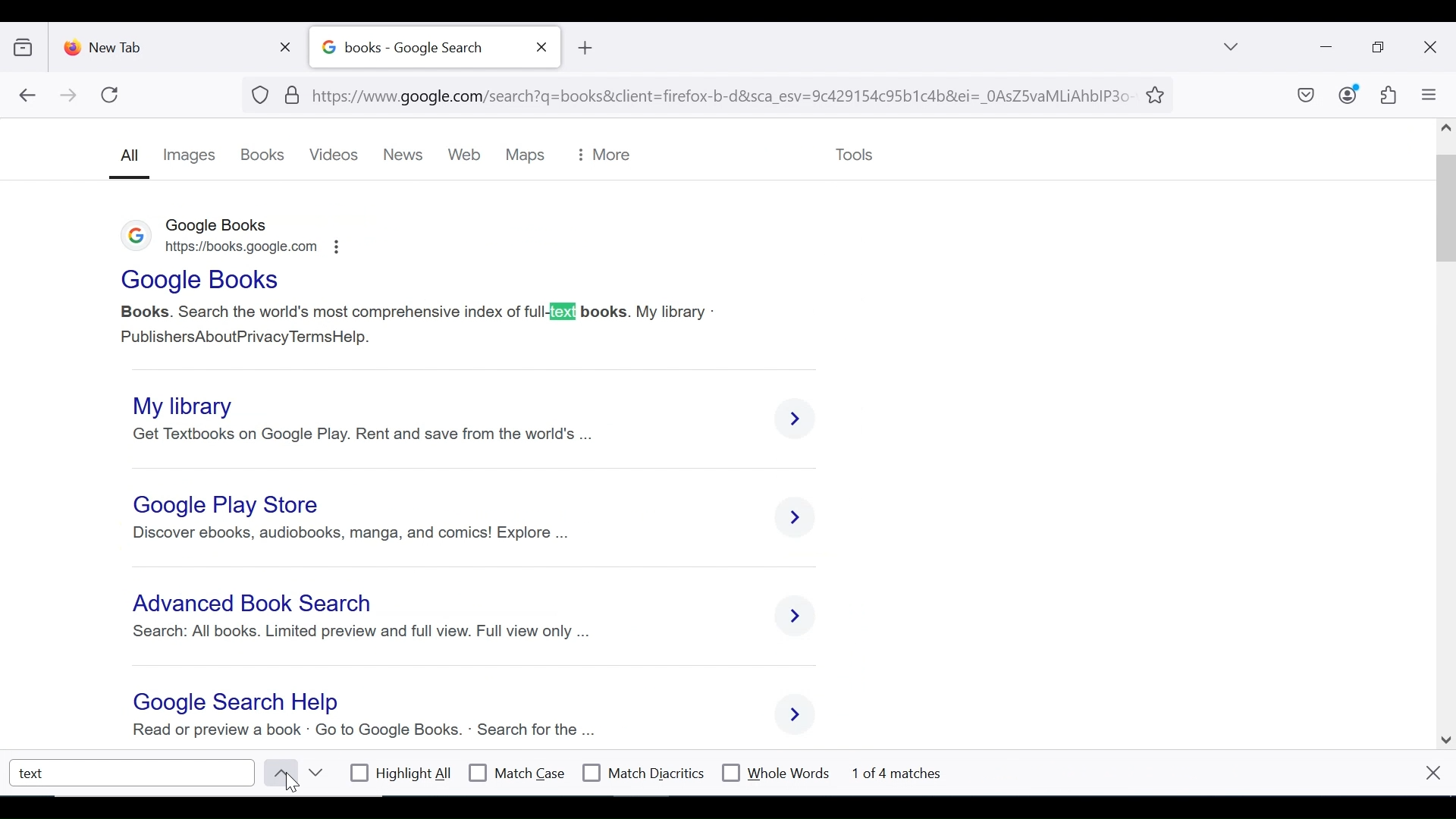  I want to click on account, so click(1349, 94).